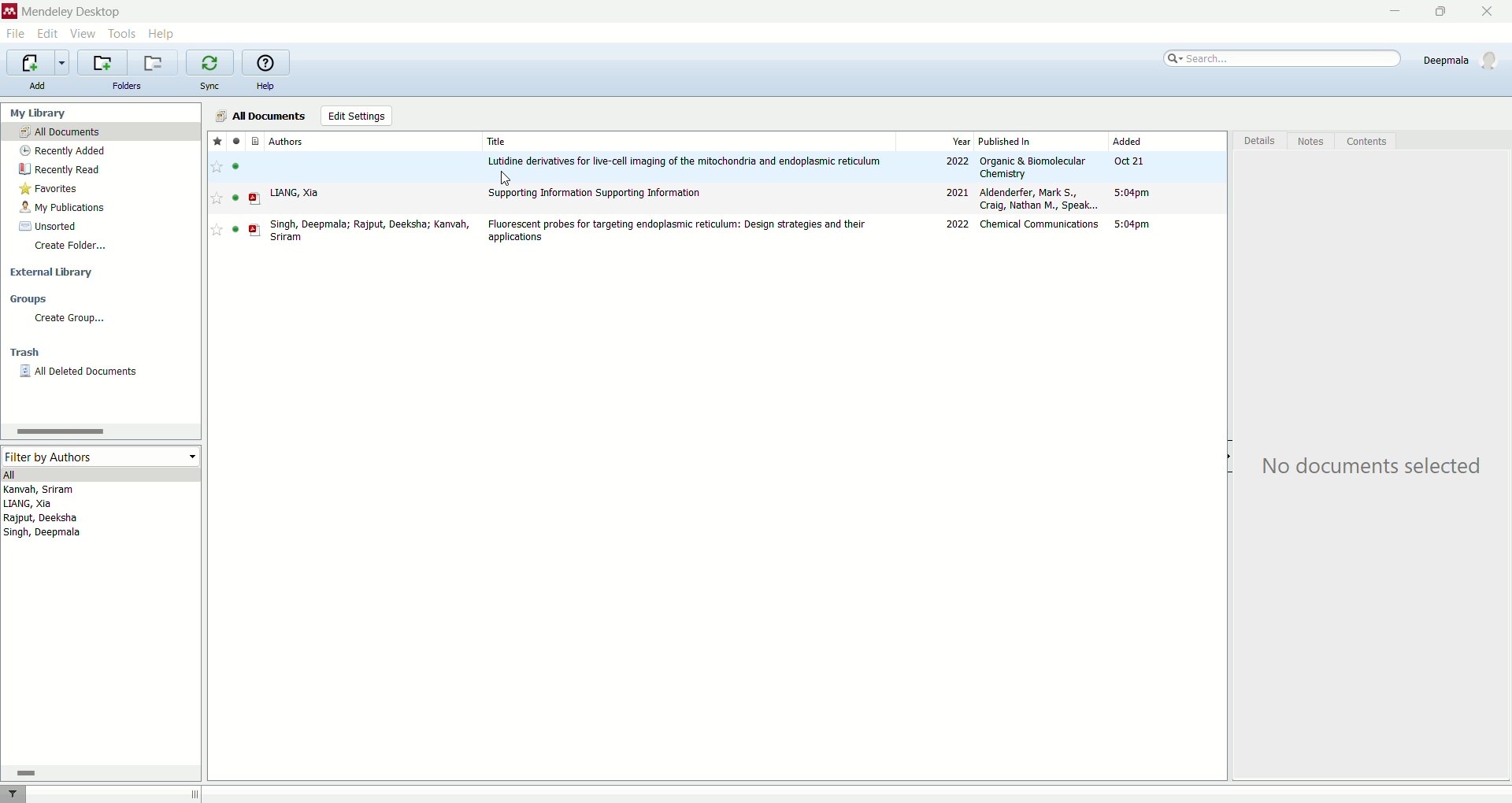 Image resolution: width=1512 pixels, height=803 pixels. What do you see at coordinates (217, 167) in the screenshot?
I see `favourite` at bounding box center [217, 167].